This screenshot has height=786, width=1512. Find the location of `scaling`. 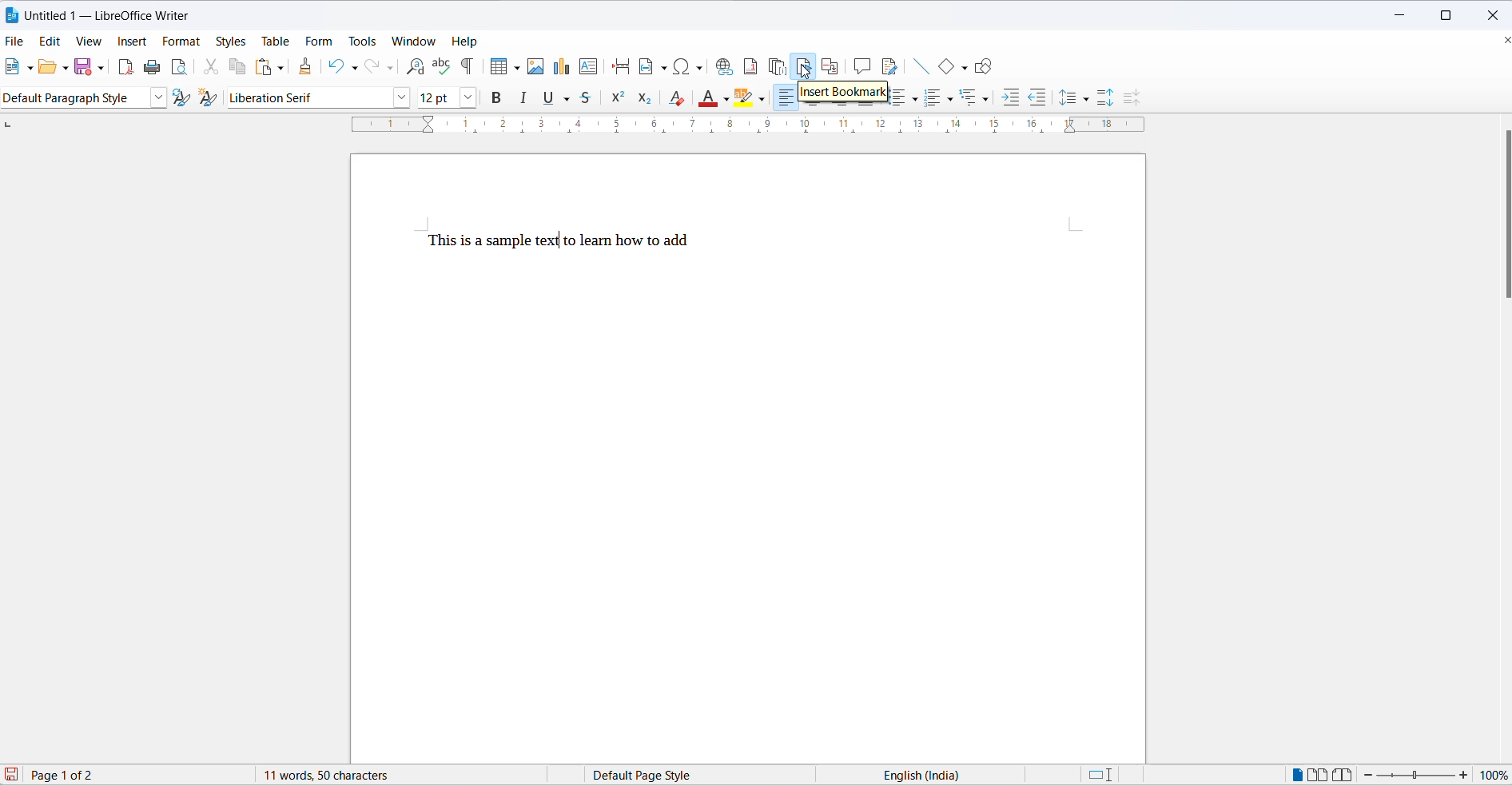

scaling is located at coordinates (738, 129).